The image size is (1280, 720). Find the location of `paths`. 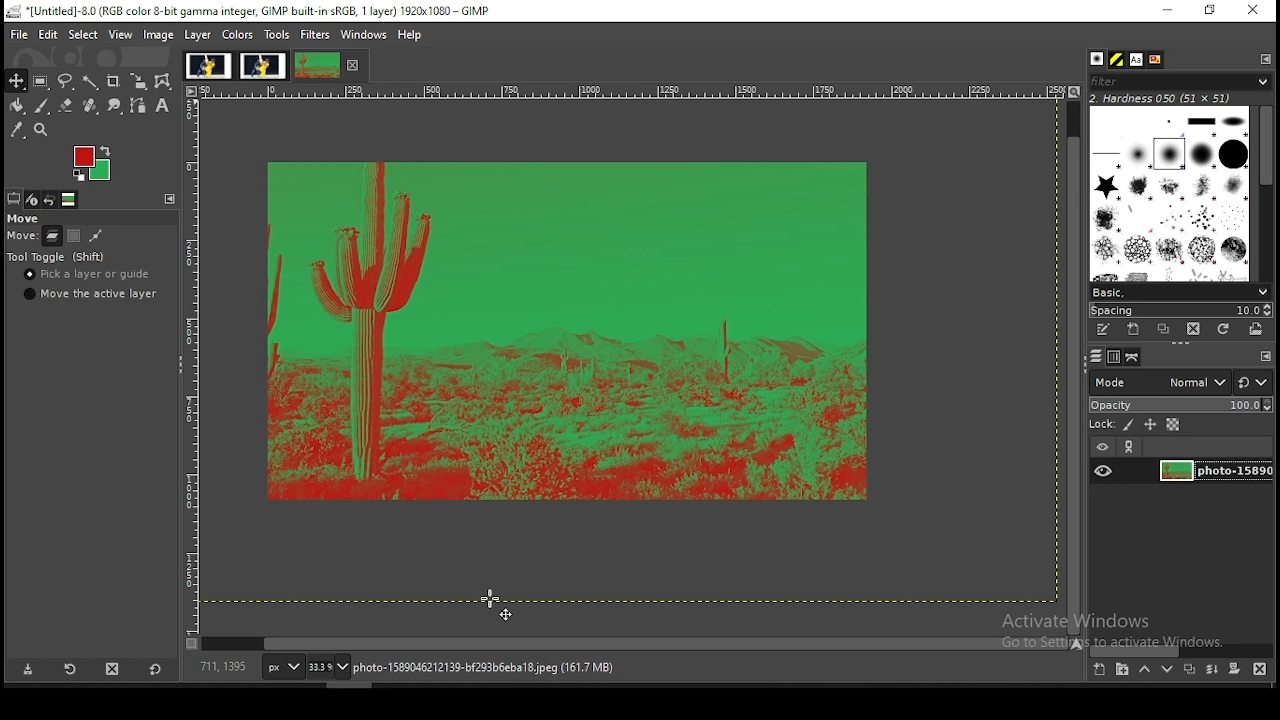

paths is located at coordinates (1134, 357).